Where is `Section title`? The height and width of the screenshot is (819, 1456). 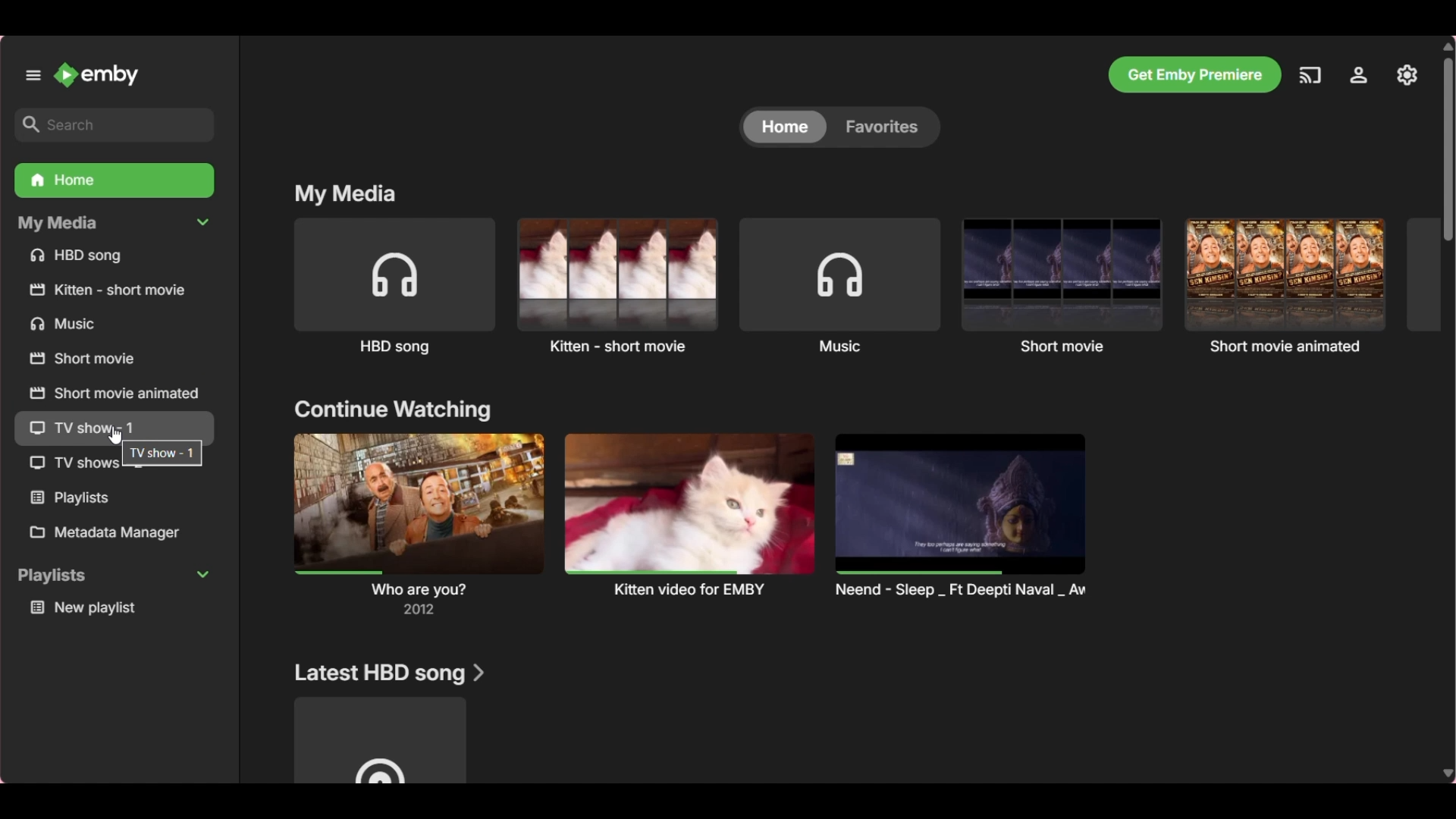 Section title is located at coordinates (394, 409).